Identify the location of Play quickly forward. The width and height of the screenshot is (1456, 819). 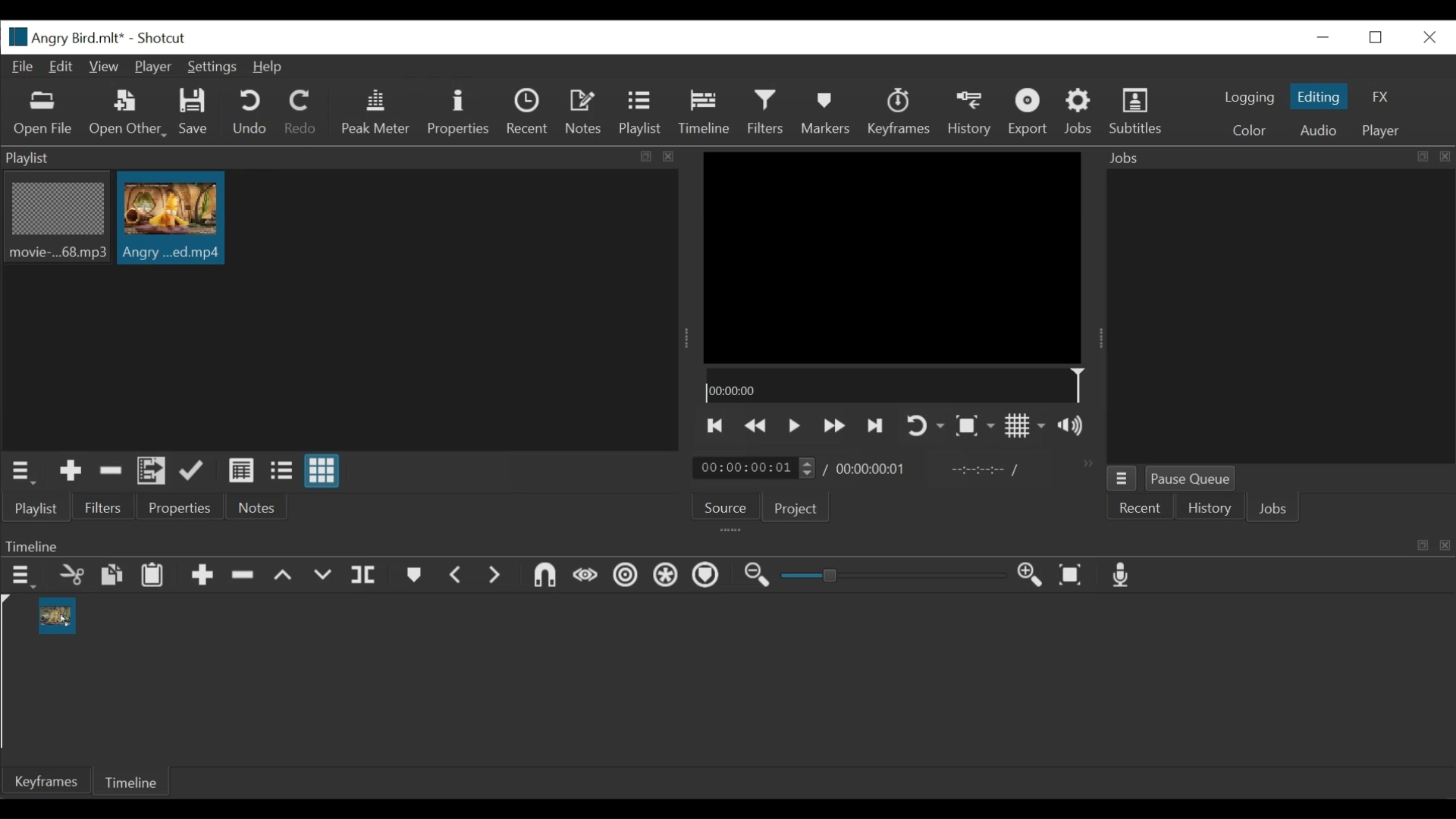
(833, 427).